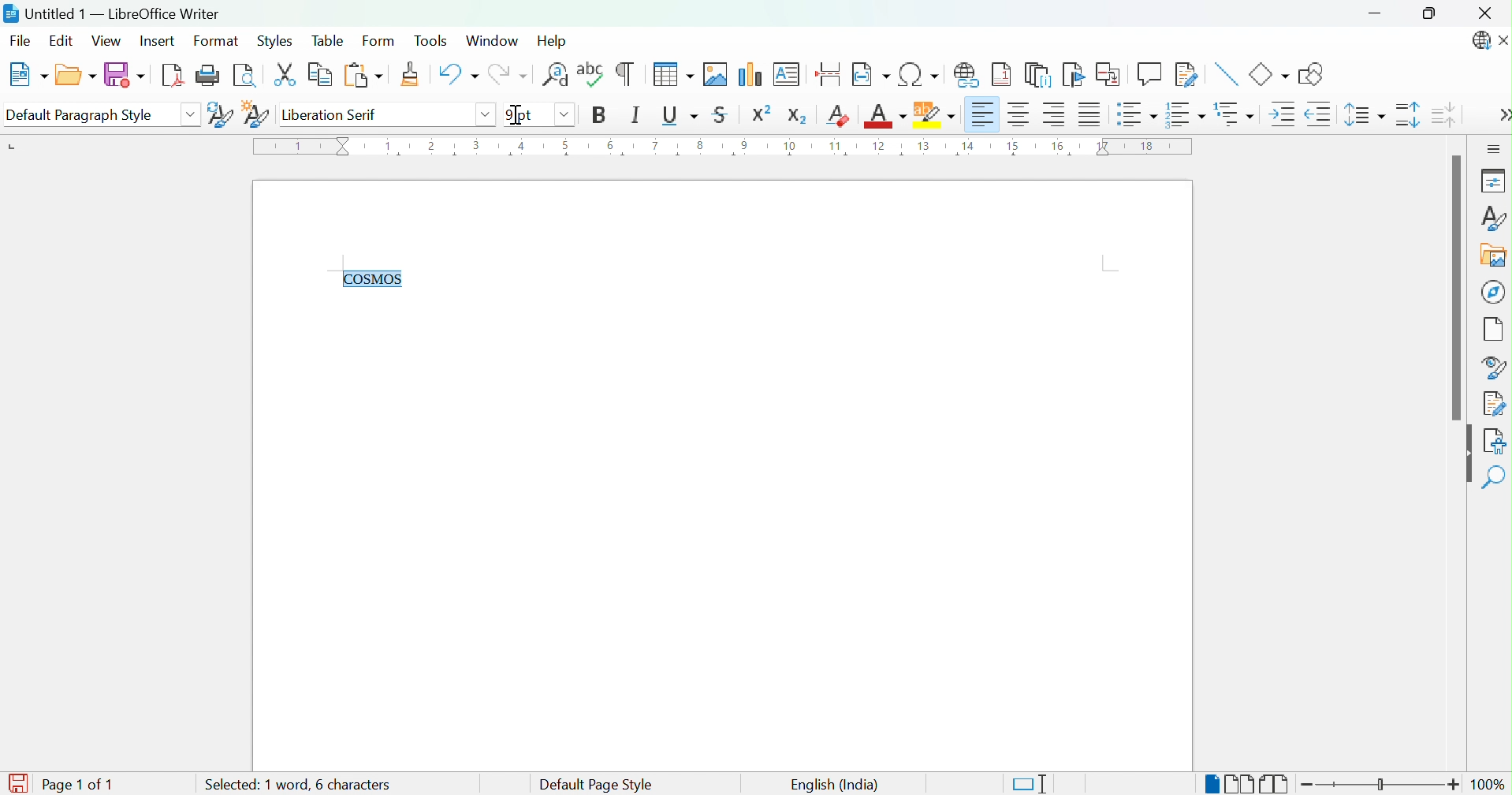 This screenshot has height=795, width=1512. What do you see at coordinates (523, 115) in the screenshot?
I see `9 pt` at bounding box center [523, 115].